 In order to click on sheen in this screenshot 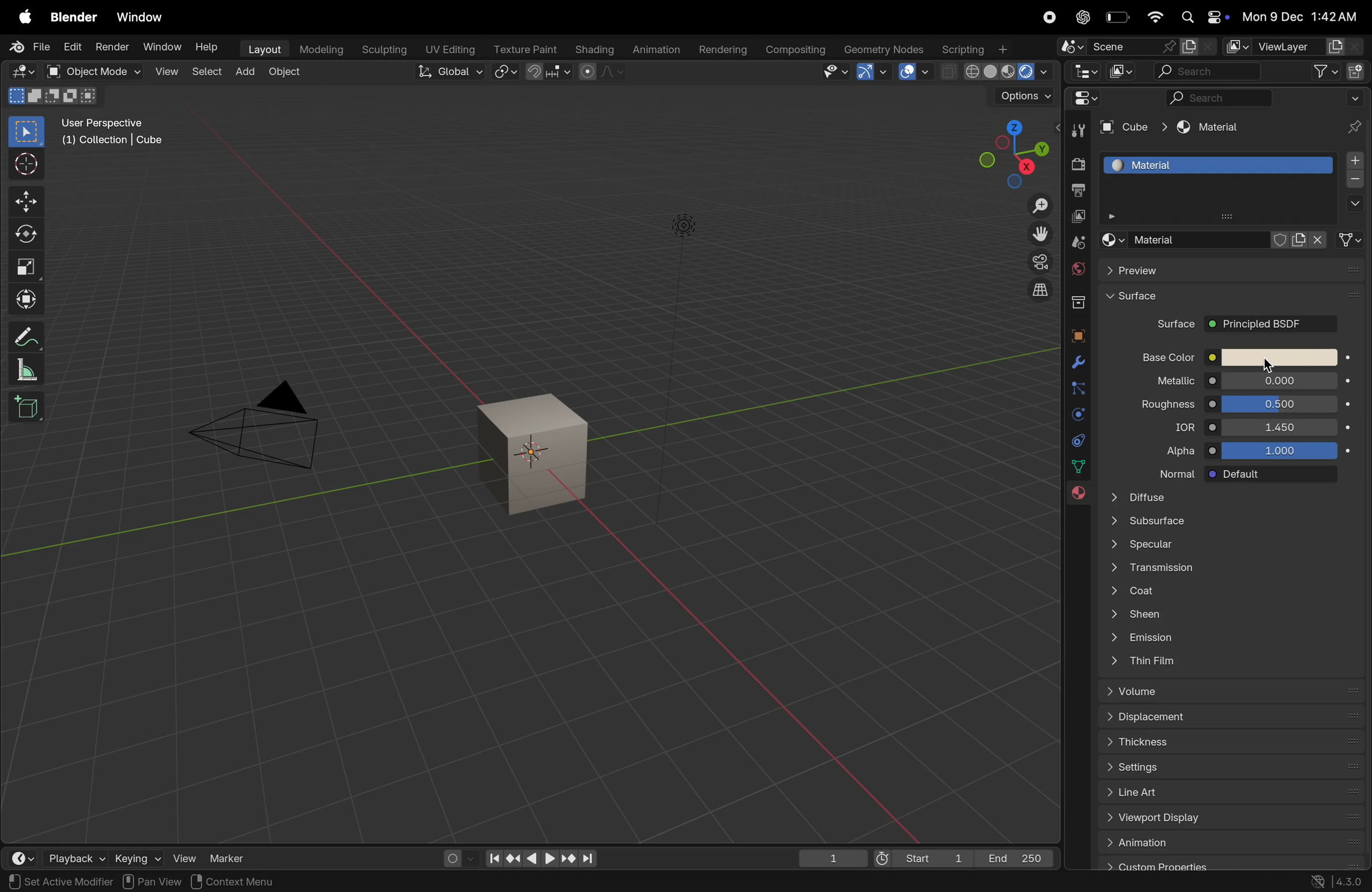, I will do `click(1224, 617)`.